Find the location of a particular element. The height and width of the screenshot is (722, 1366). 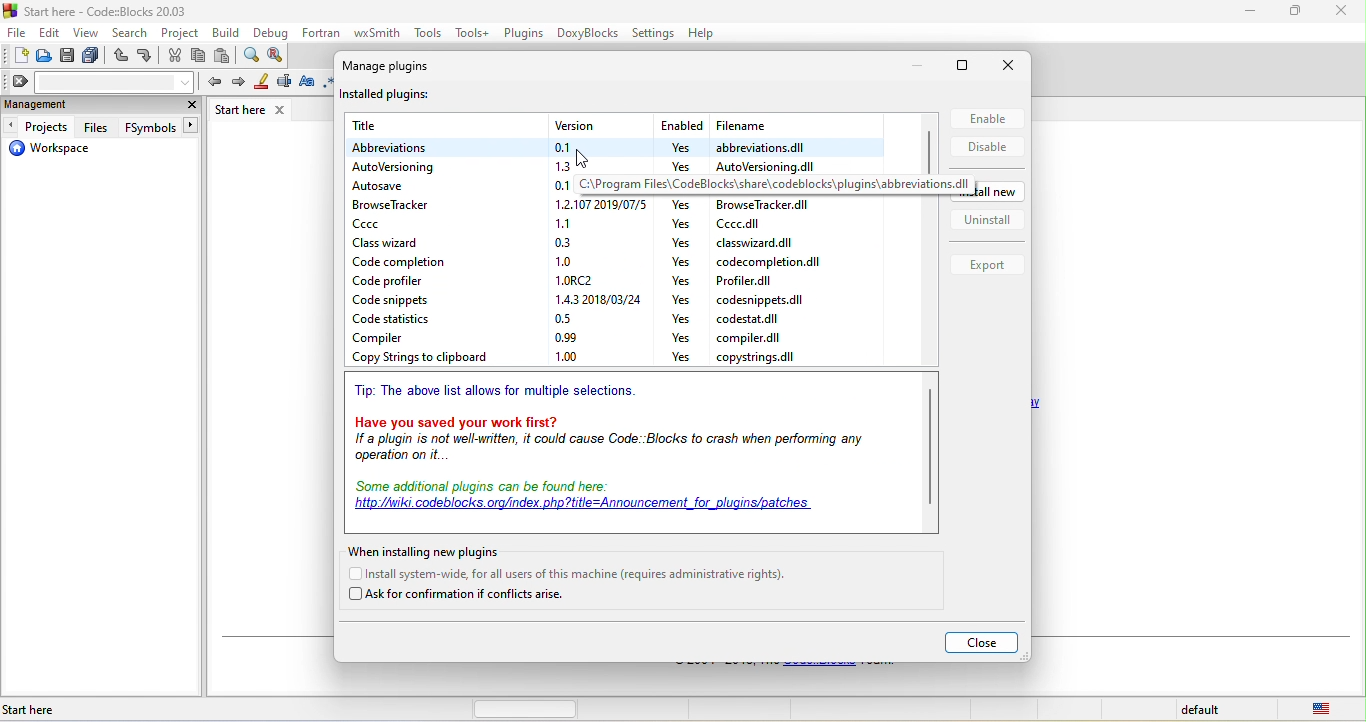

debug is located at coordinates (273, 31).